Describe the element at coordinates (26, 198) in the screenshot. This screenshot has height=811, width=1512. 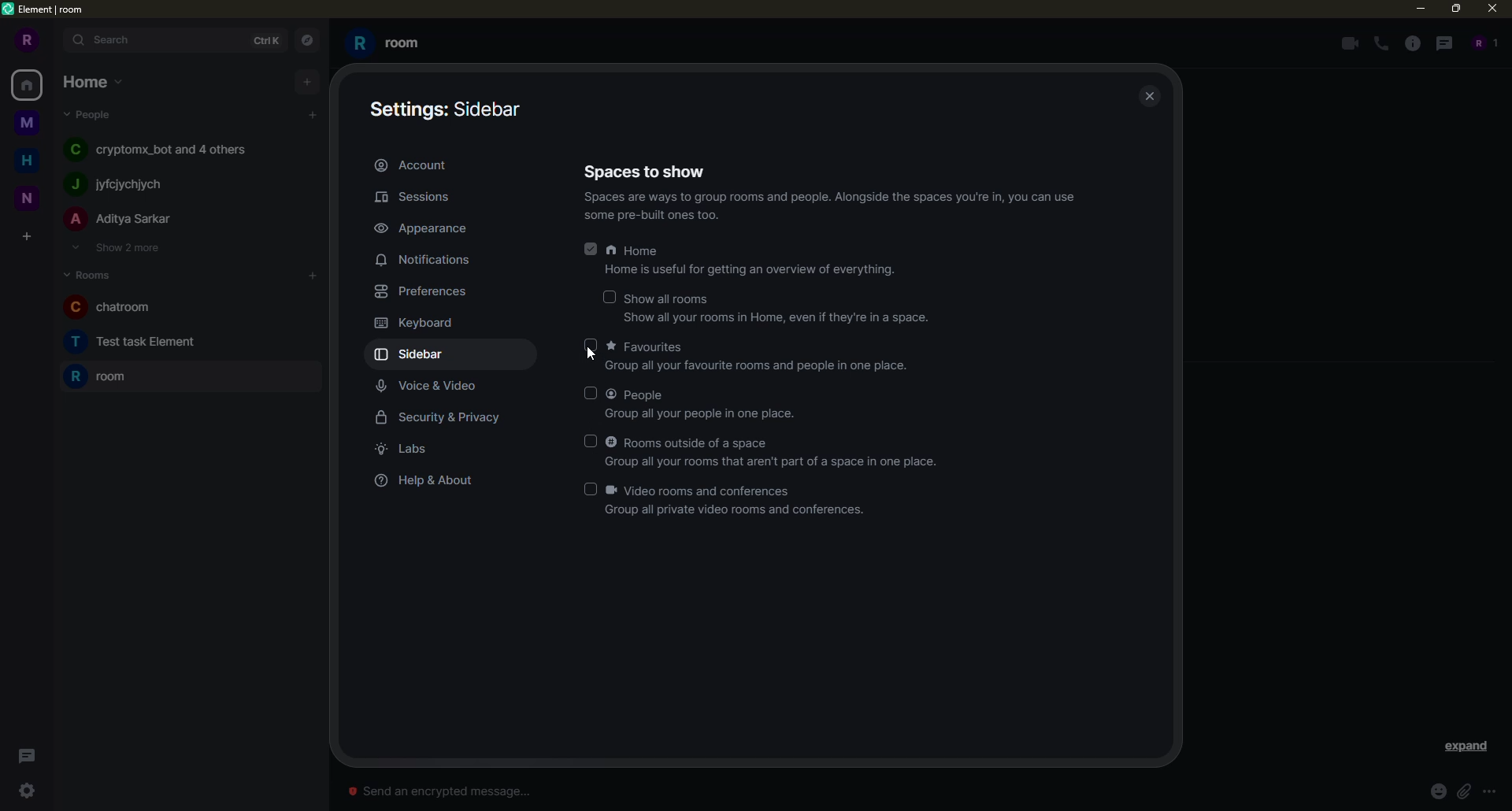
I see `n` at that location.